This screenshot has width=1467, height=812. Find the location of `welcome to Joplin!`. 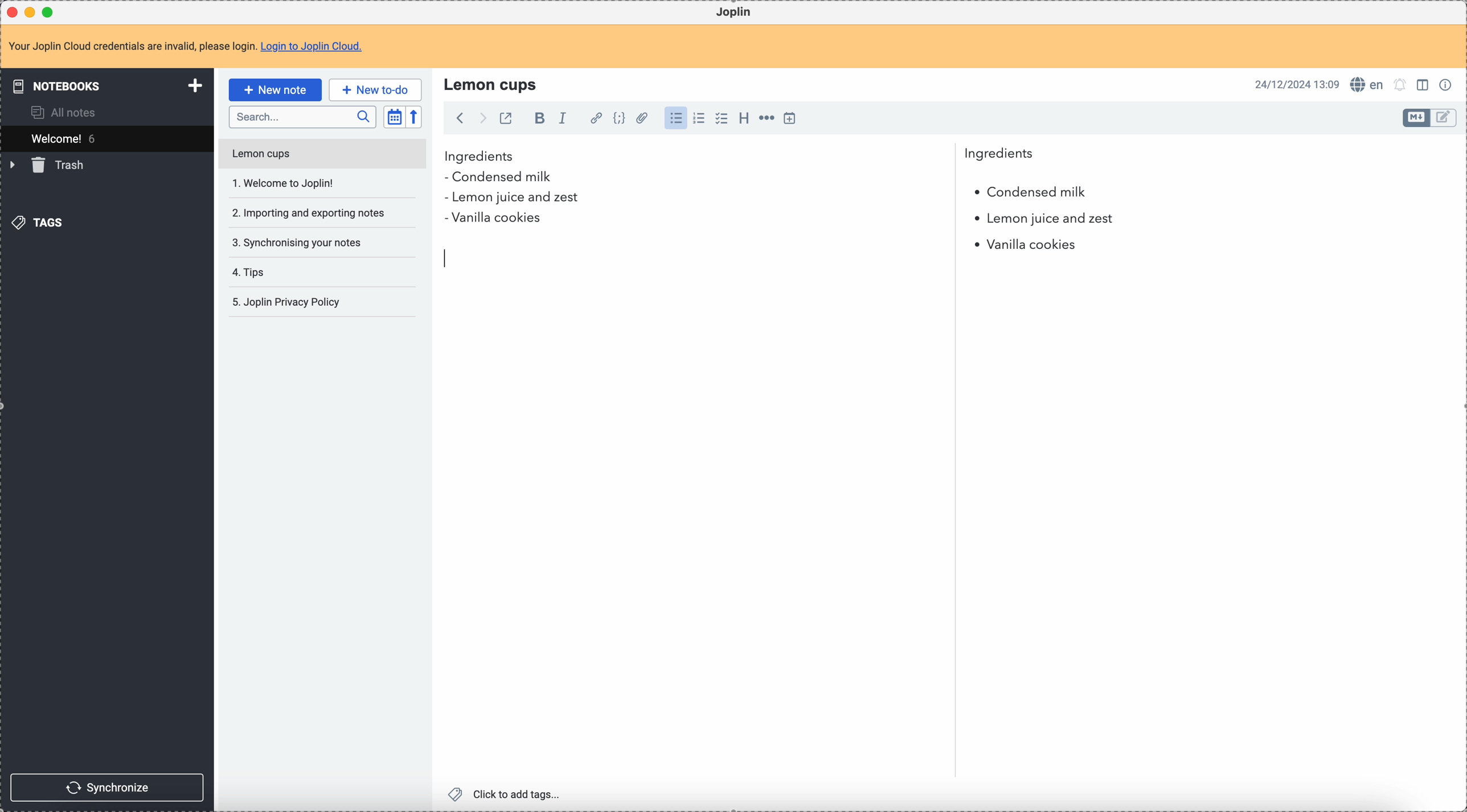

welcome to Joplin! is located at coordinates (284, 183).